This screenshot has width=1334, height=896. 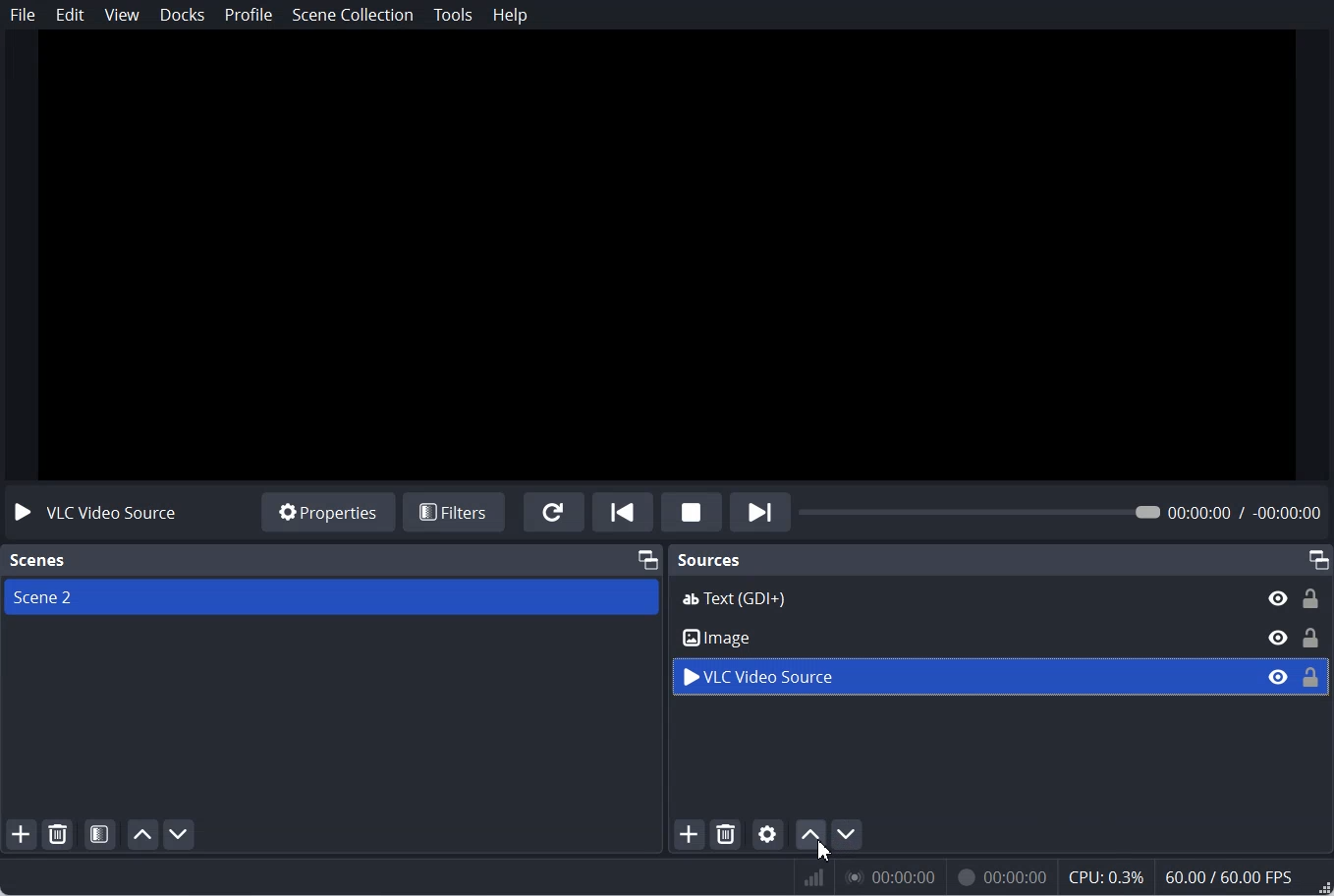 I want to click on Cursor, so click(x=825, y=851).